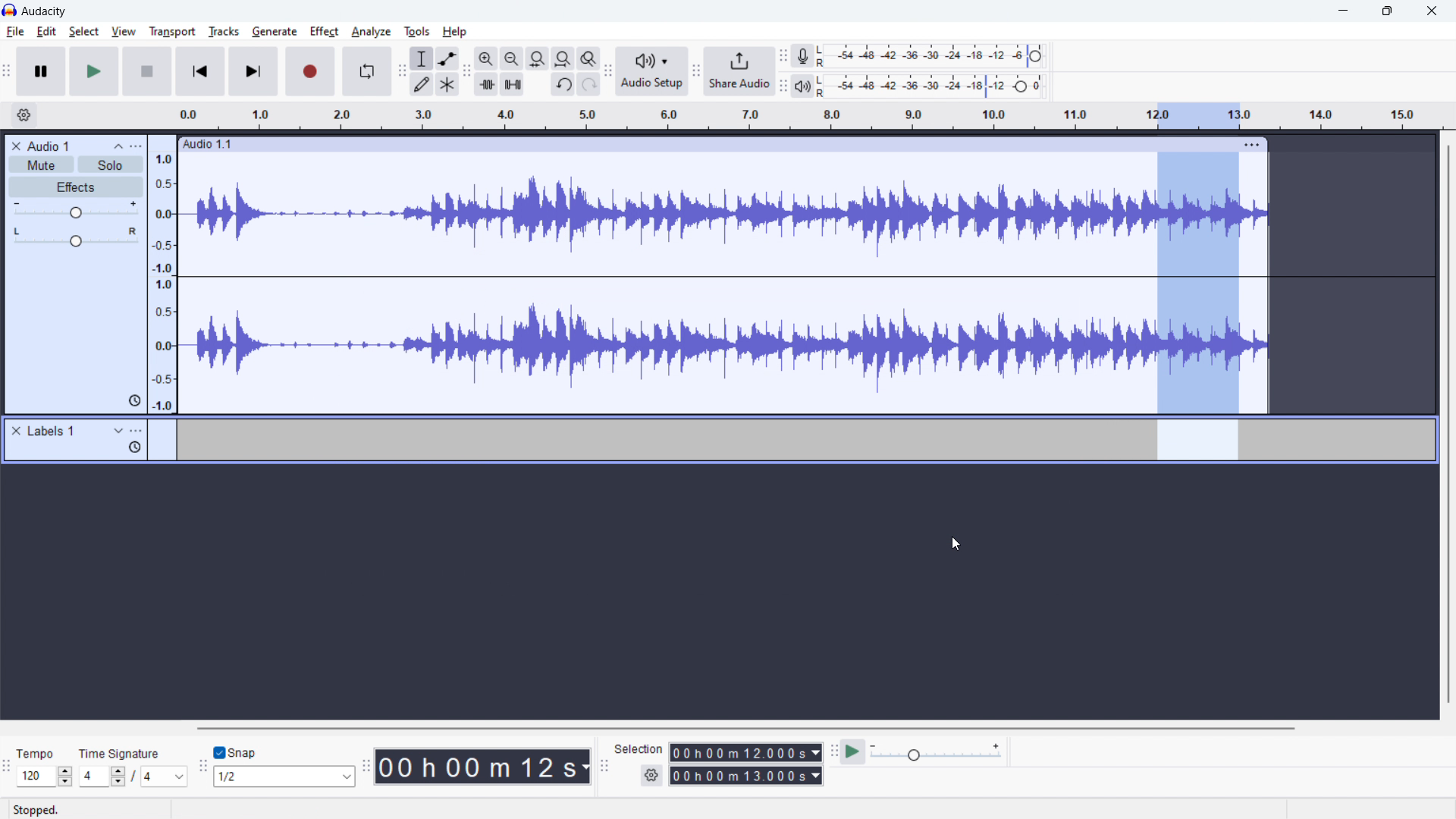 The width and height of the screenshot is (1456, 819). Describe the element at coordinates (366, 71) in the screenshot. I see `enable loop` at that location.